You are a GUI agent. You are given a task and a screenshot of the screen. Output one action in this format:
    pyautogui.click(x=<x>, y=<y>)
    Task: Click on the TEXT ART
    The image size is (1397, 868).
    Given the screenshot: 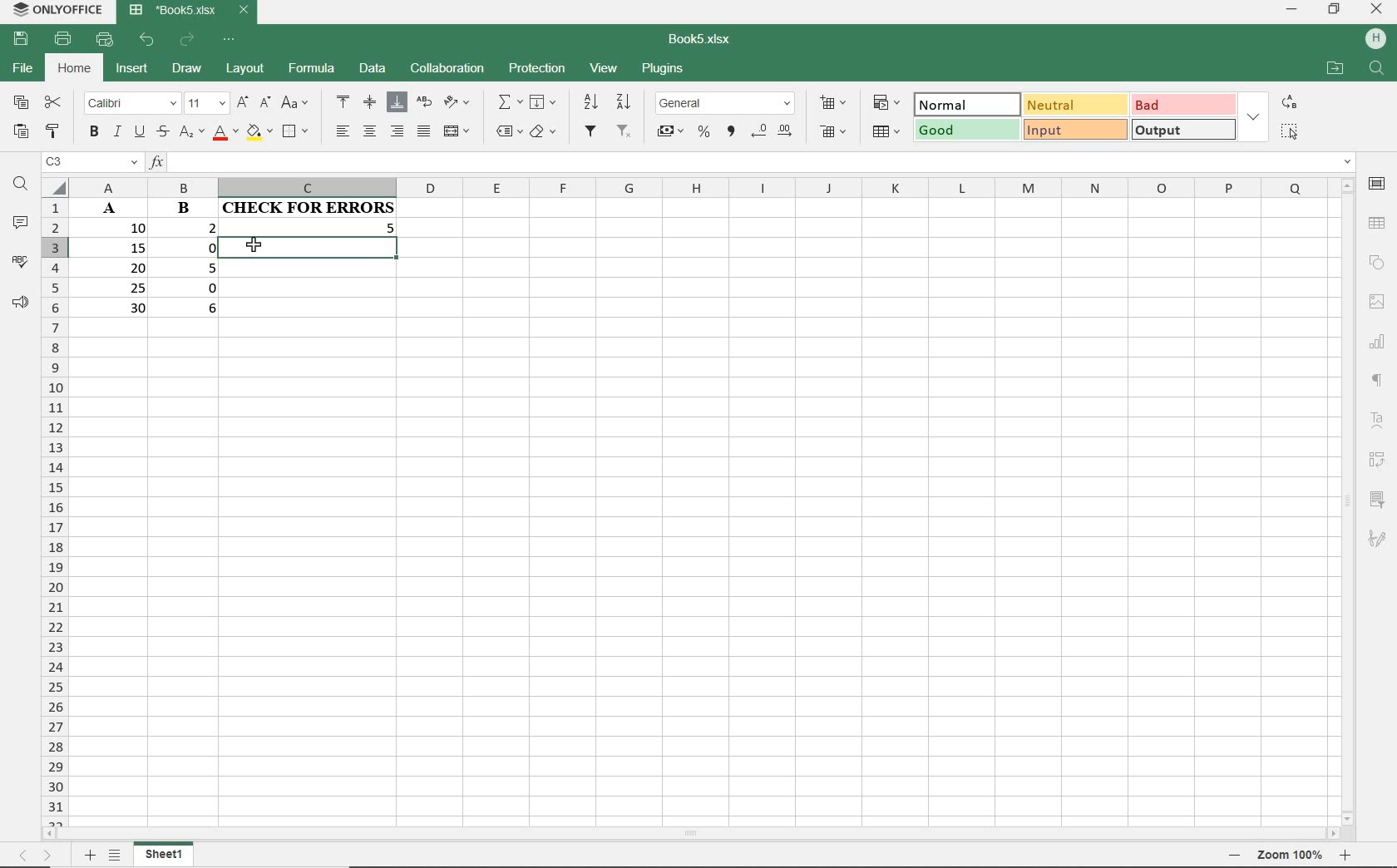 What is the action you would take?
    pyautogui.click(x=1379, y=422)
    